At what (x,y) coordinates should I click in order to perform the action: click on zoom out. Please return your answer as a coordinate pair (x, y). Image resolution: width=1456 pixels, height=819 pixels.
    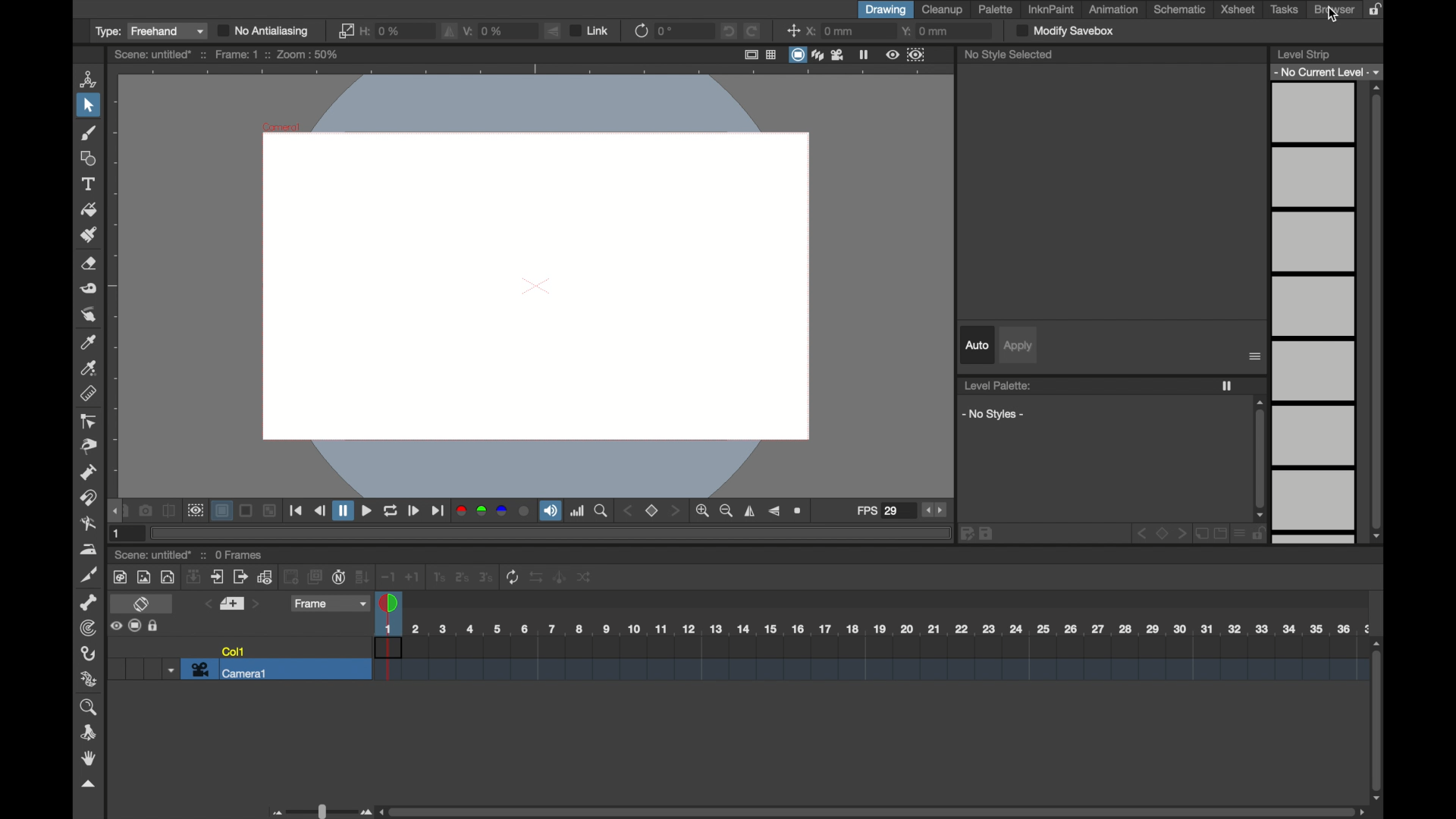
    Looking at the image, I should click on (726, 510).